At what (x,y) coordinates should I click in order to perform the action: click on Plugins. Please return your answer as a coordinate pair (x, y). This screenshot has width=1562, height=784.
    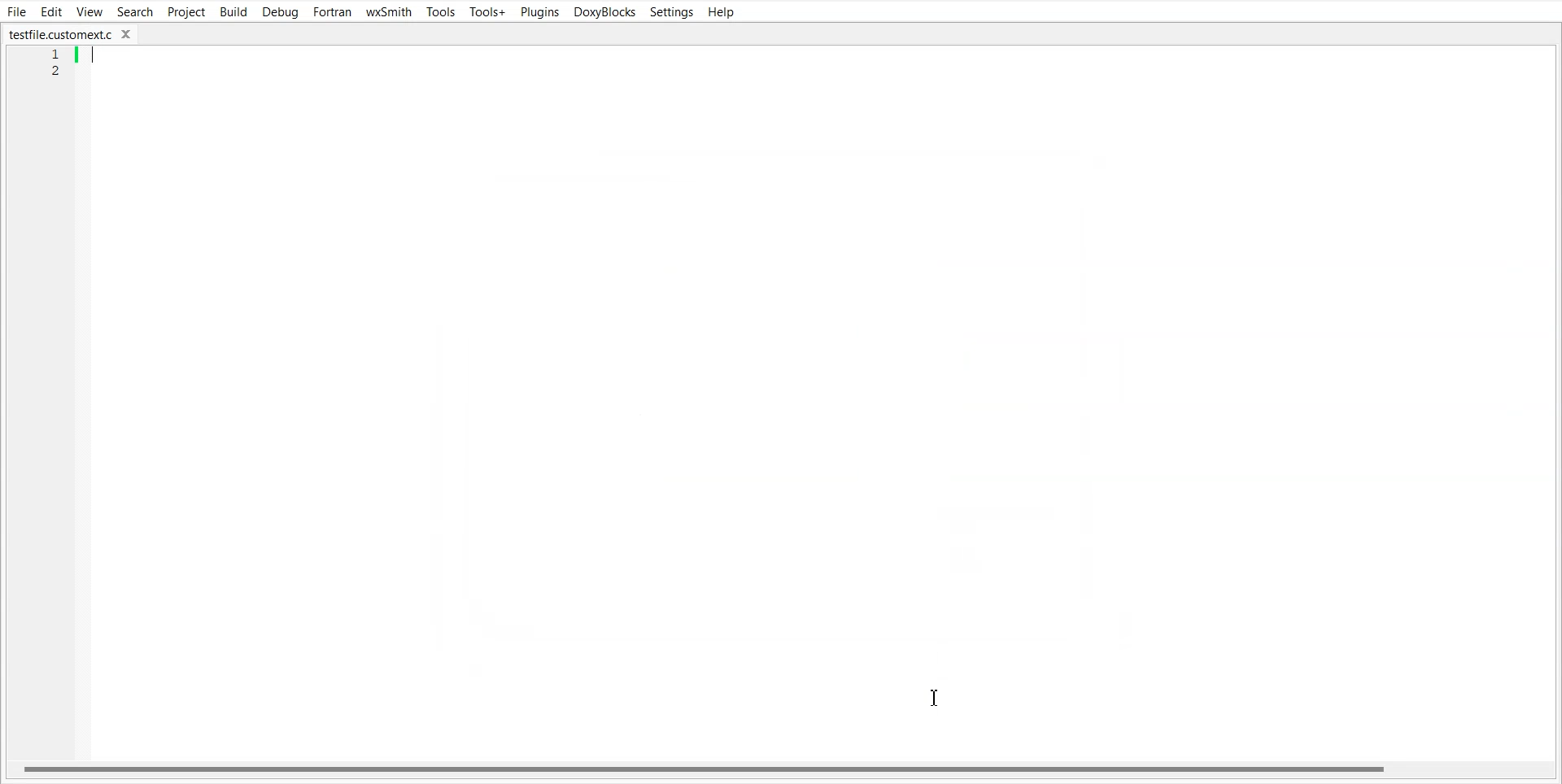
    Looking at the image, I should click on (539, 12).